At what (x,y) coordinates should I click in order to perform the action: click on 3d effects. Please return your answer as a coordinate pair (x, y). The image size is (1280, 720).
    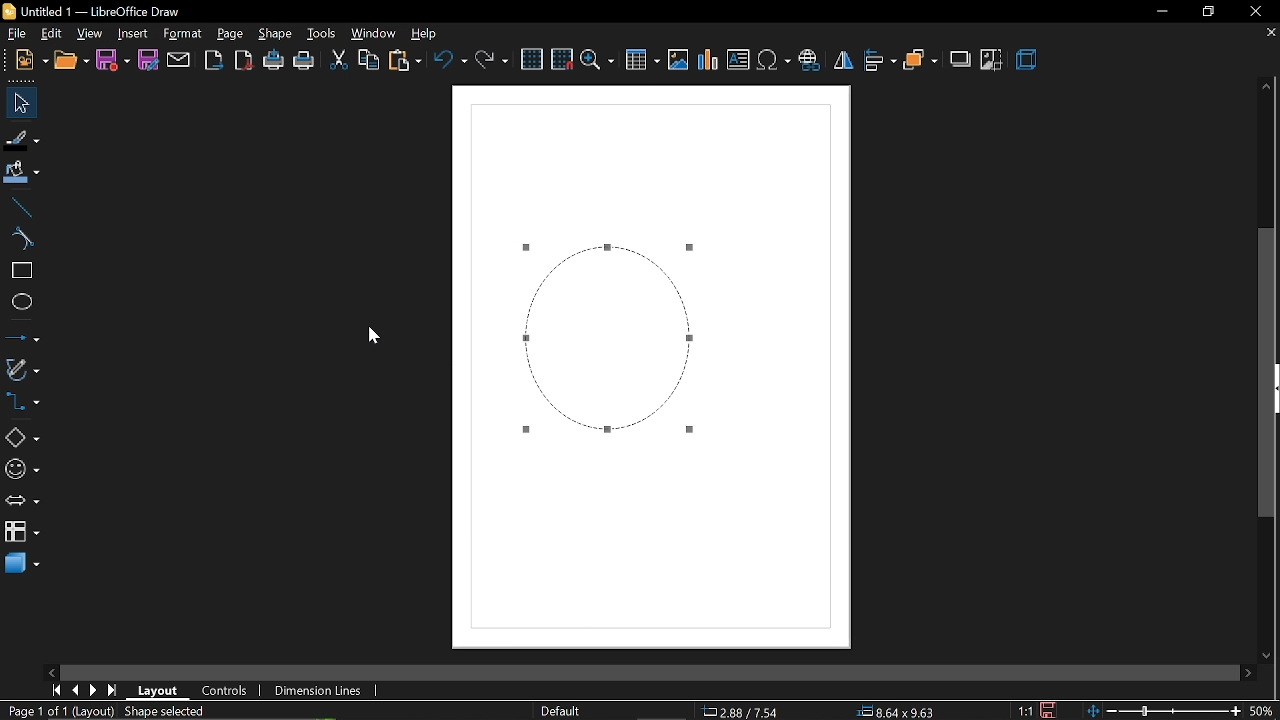
    Looking at the image, I should click on (1026, 58).